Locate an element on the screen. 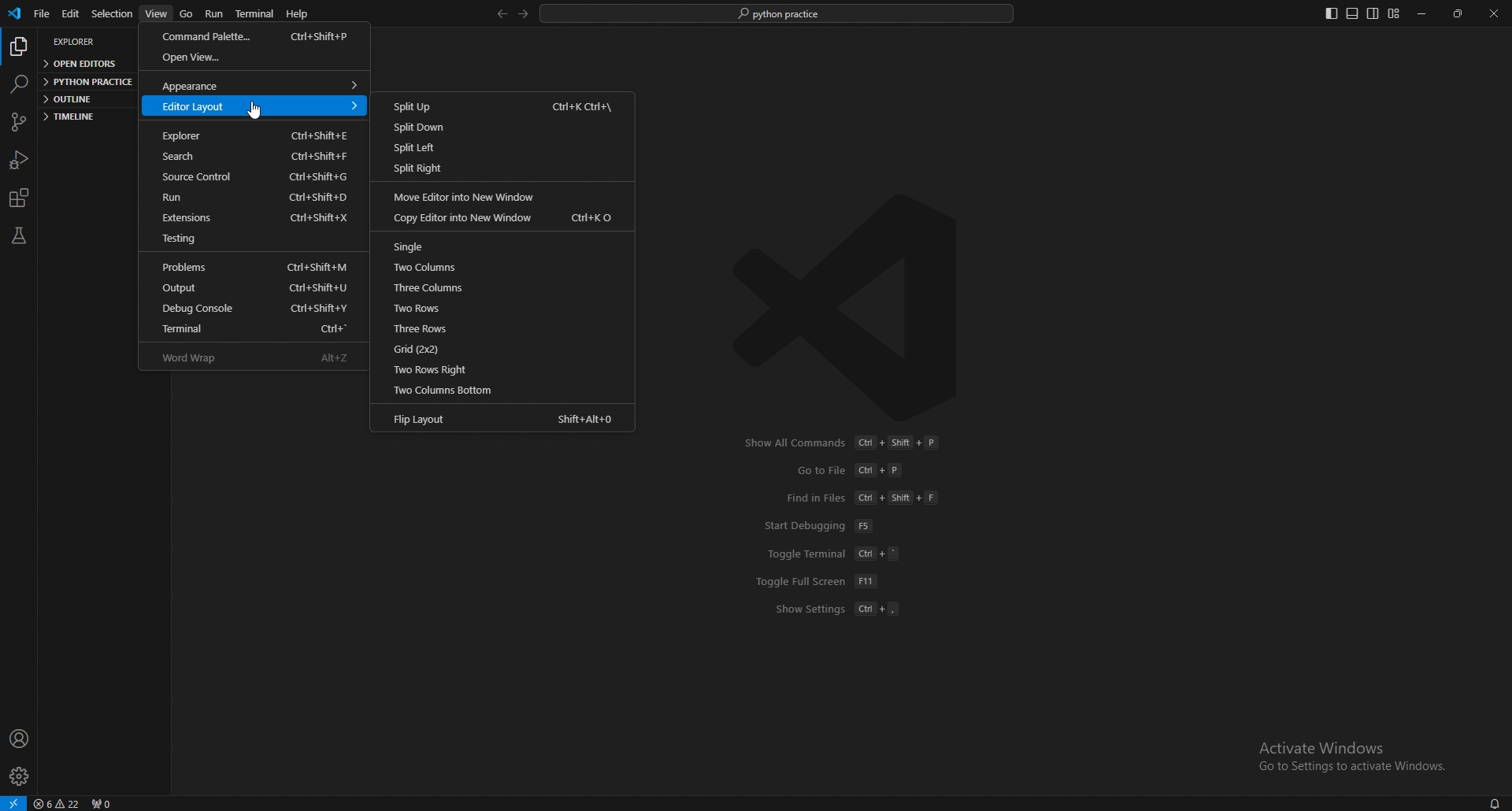  output ctrl+shift+u is located at coordinates (249, 287).